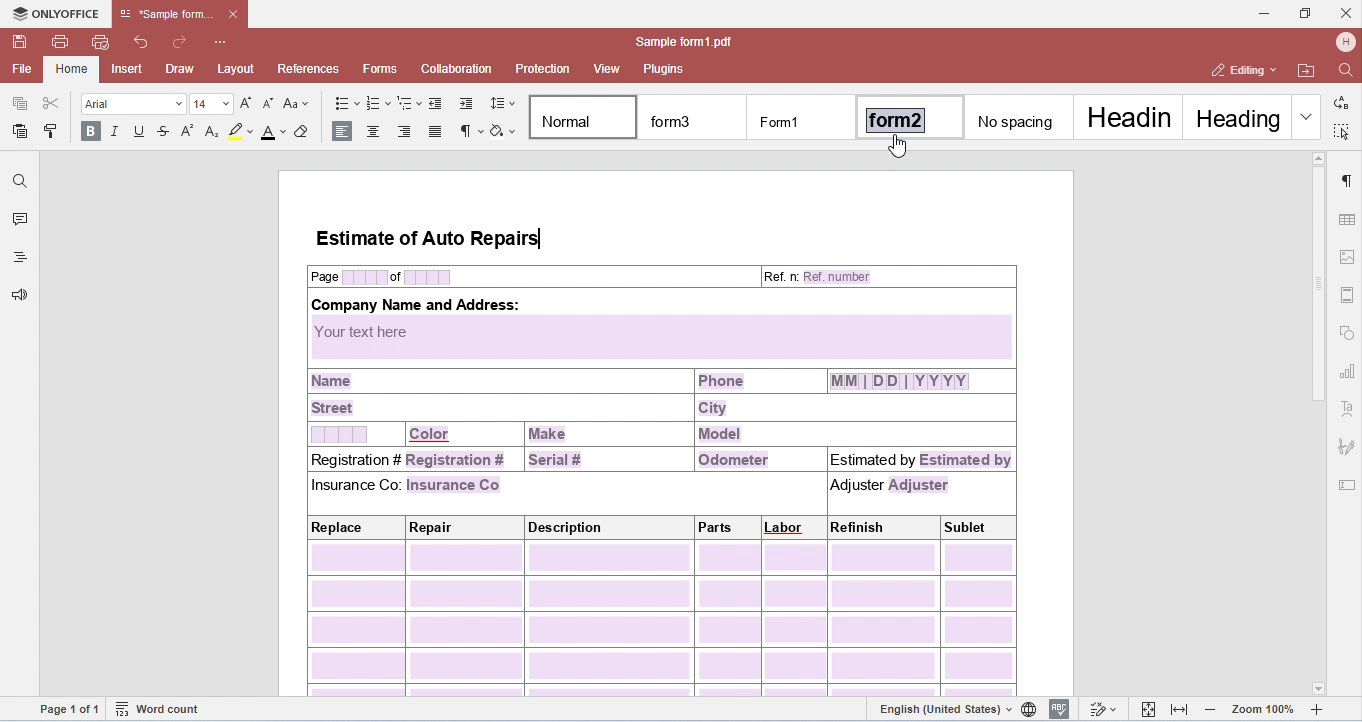  What do you see at coordinates (89, 132) in the screenshot?
I see `bold` at bounding box center [89, 132].